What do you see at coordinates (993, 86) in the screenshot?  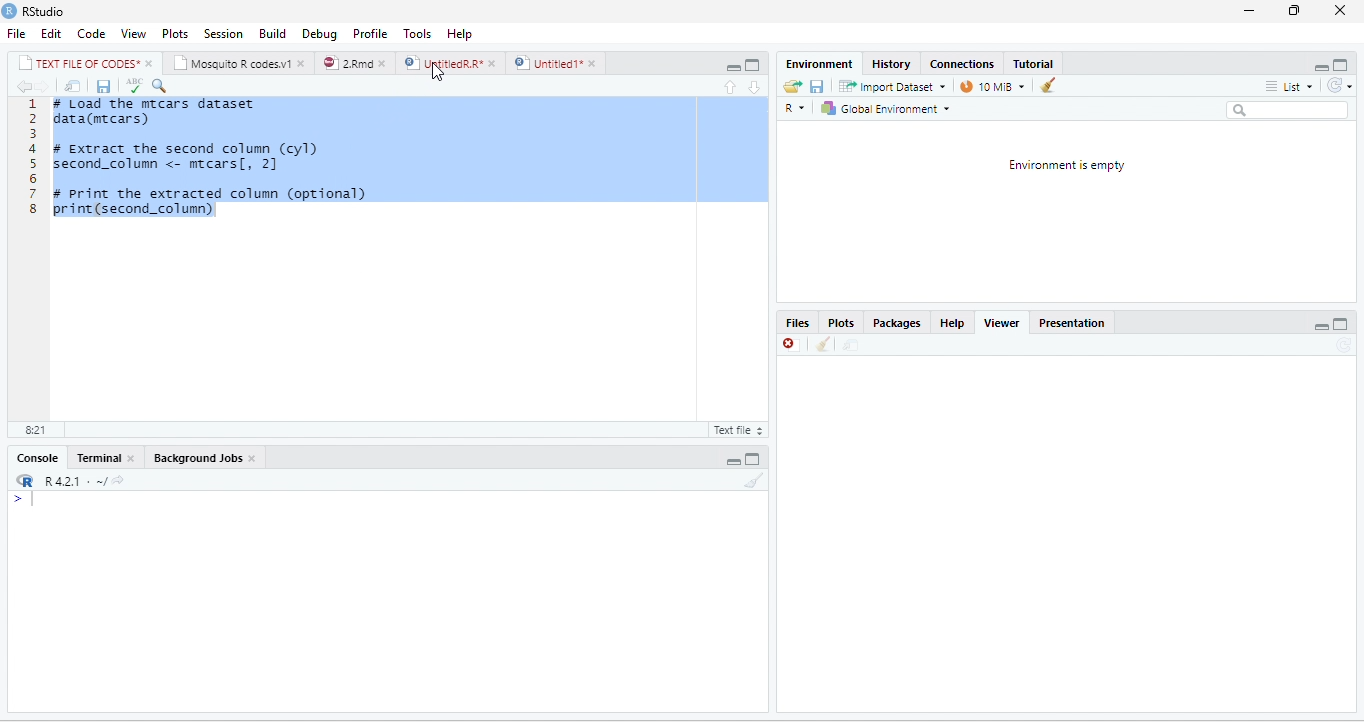 I see `14 MB` at bounding box center [993, 86].